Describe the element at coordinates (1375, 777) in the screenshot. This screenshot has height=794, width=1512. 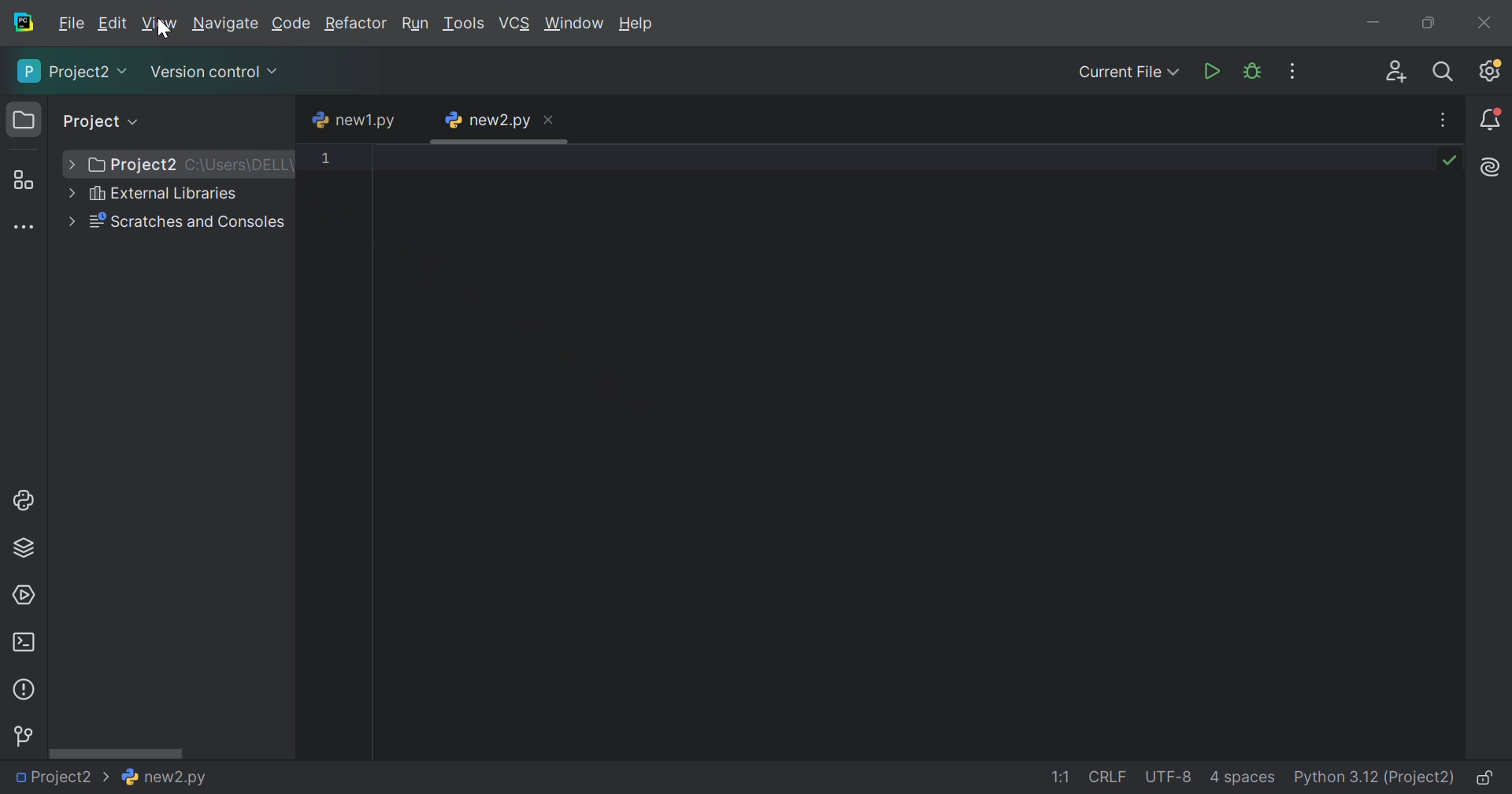
I see `Python 3.12 (Project)` at that location.